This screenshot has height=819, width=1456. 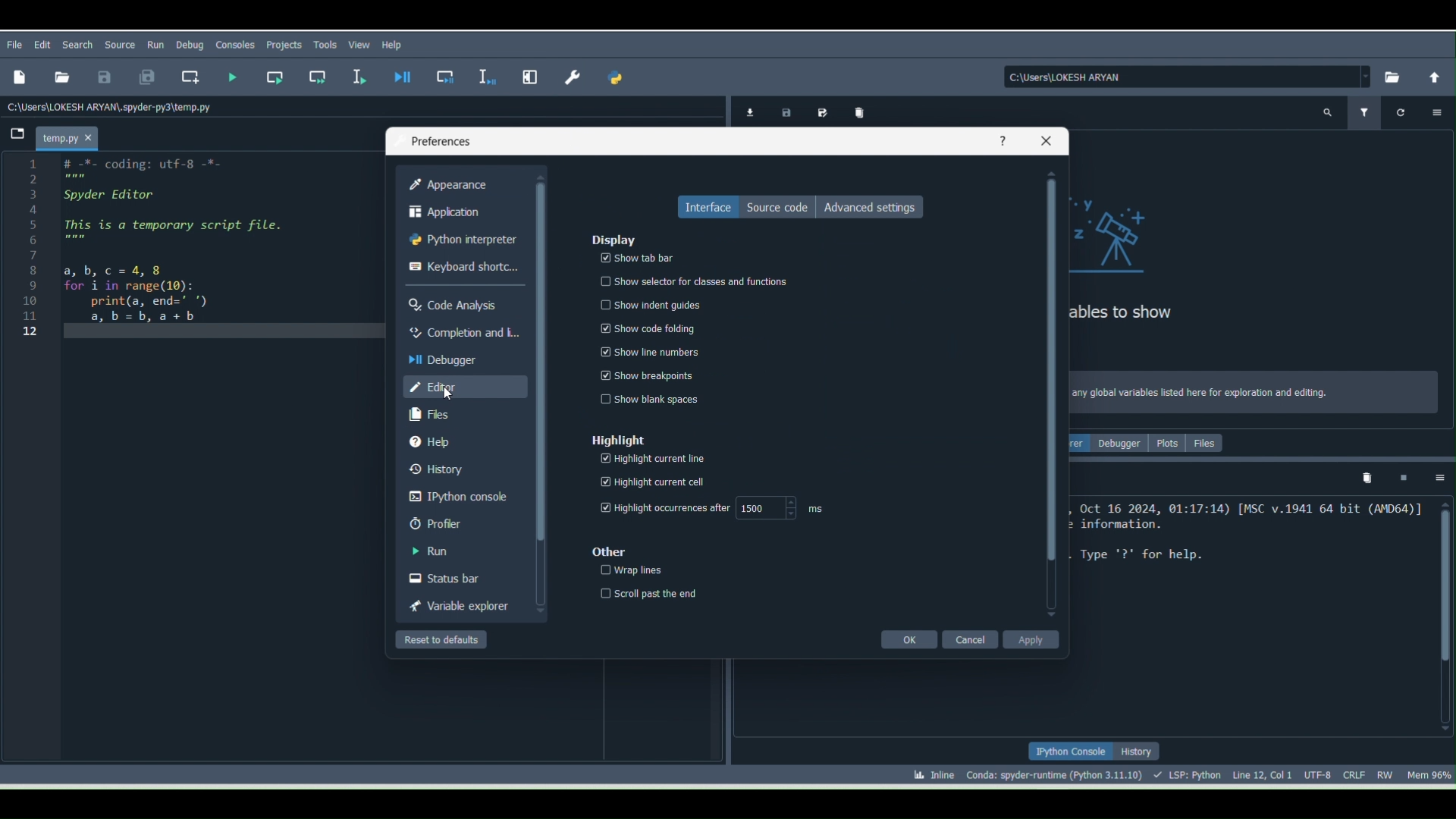 What do you see at coordinates (647, 592) in the screenshot?
I see `Scroll past the end` at bounding box center [647, 592].